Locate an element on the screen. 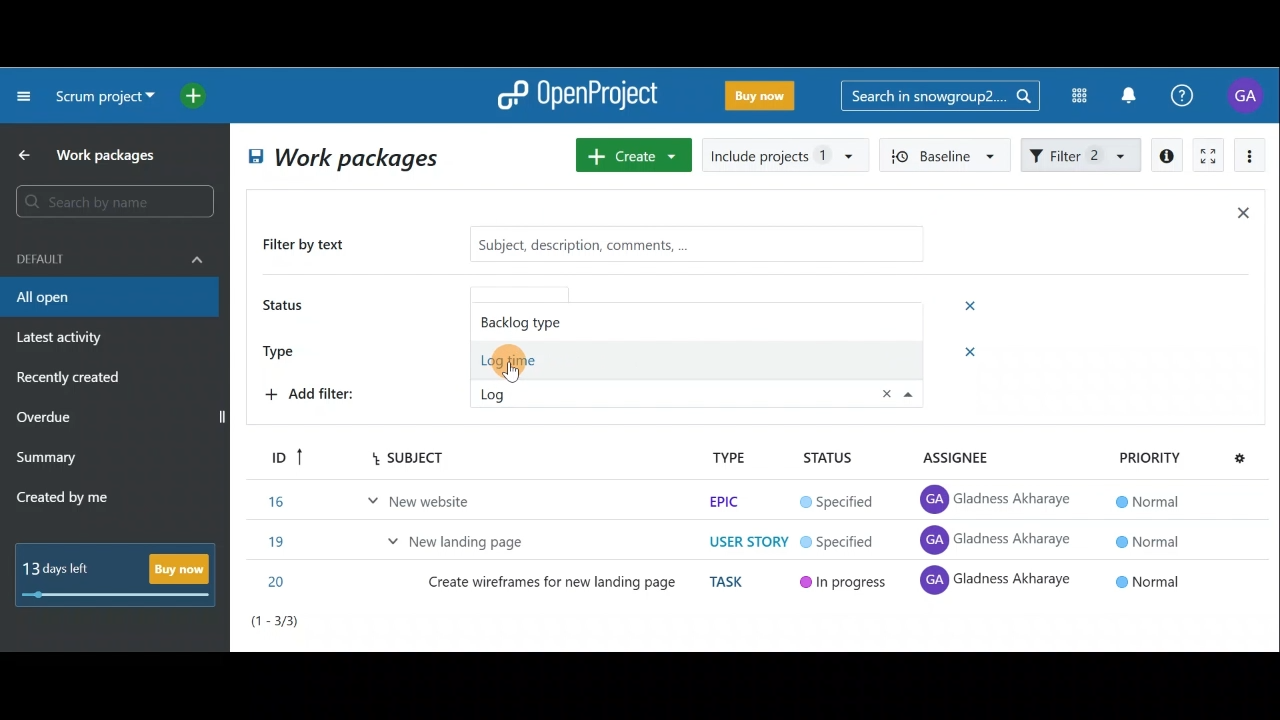 The image size is (1280, 720). All open is located at coordinates (340, 160).